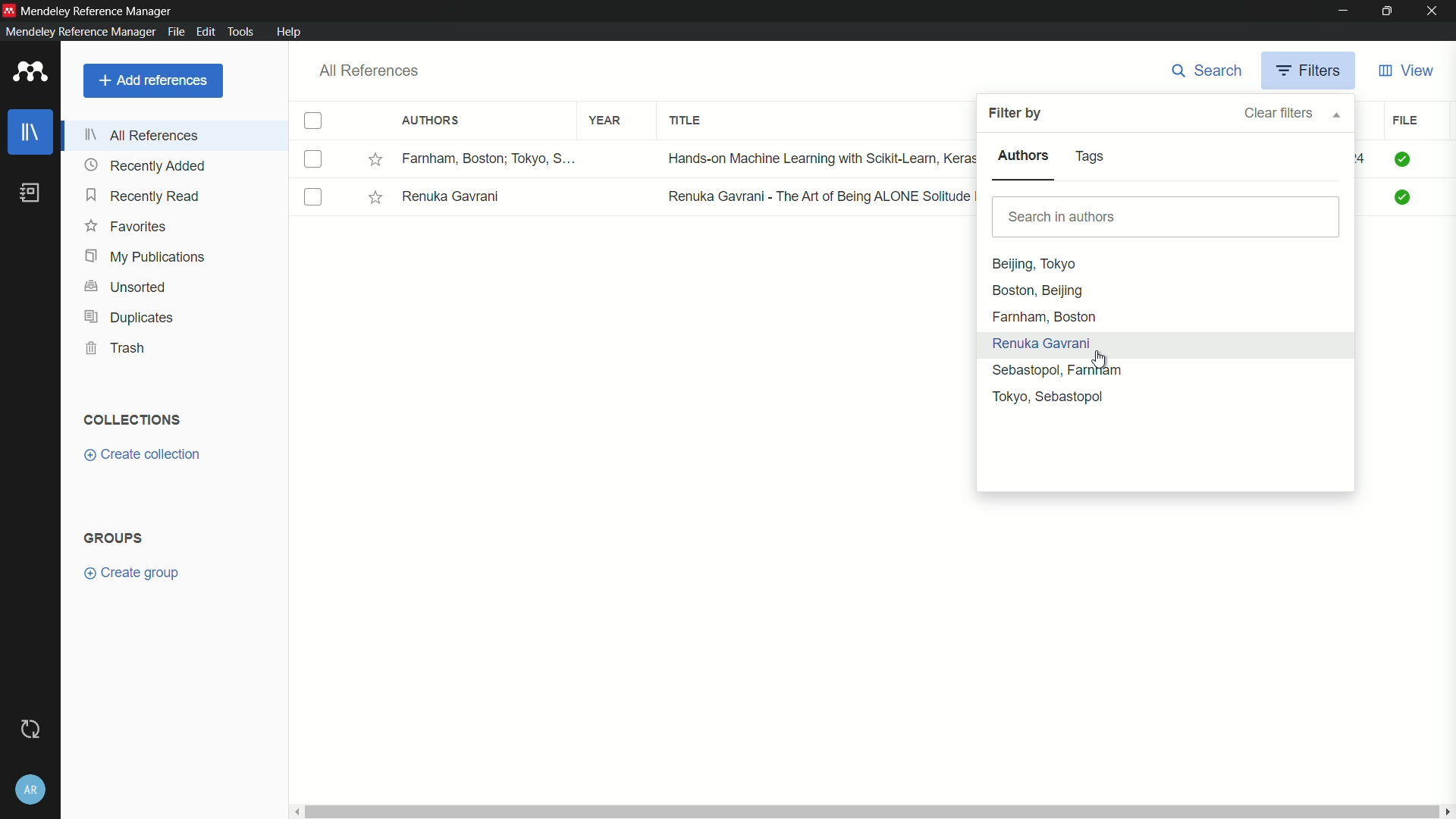 This screenshot has height=819, width=1456. What do you see at coordinates (606, 121) in the screenshot?
I see `year` at bounding box center [606, 121].